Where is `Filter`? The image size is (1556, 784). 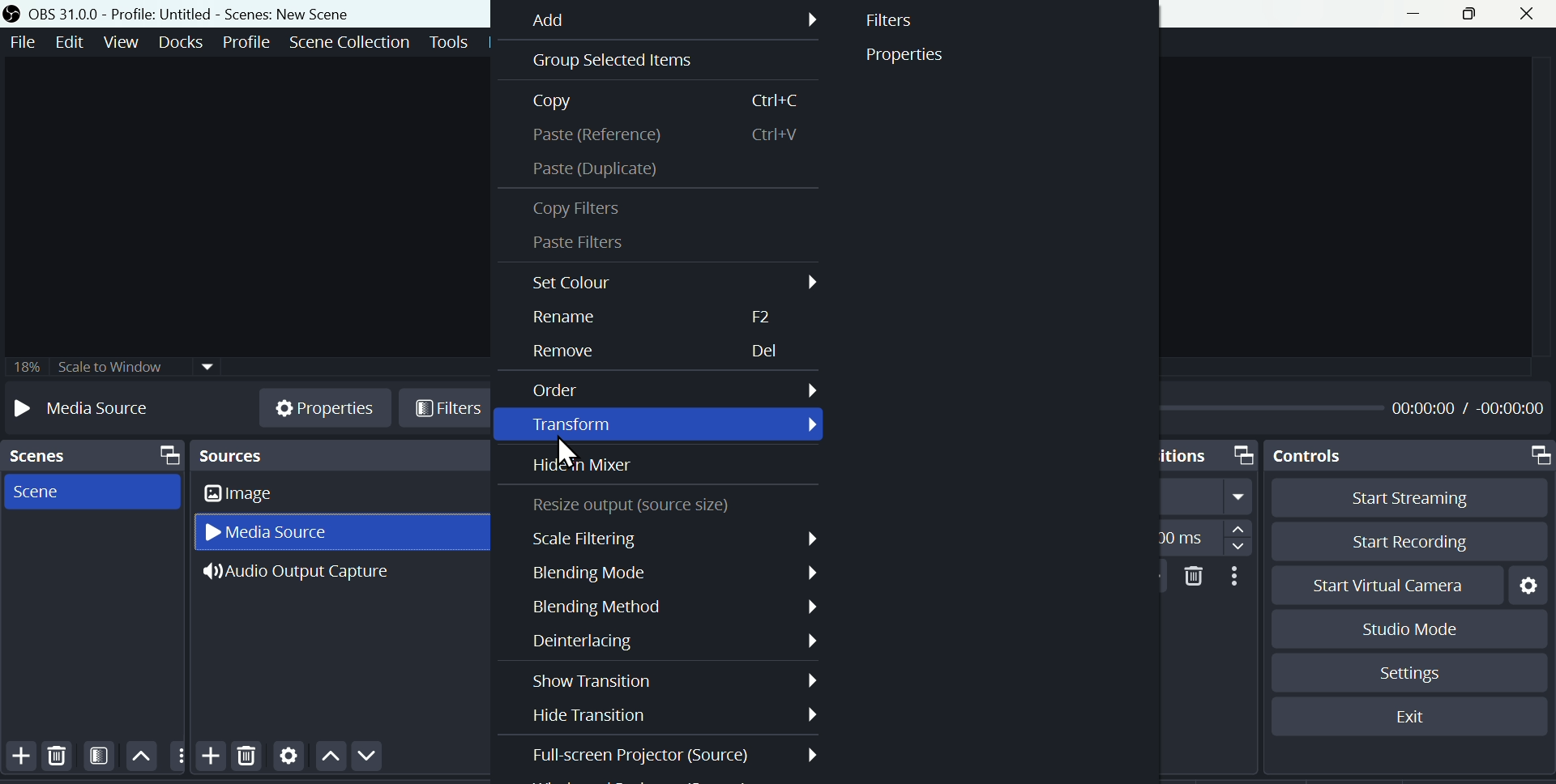 Filter is located at coordinates (896, 23).